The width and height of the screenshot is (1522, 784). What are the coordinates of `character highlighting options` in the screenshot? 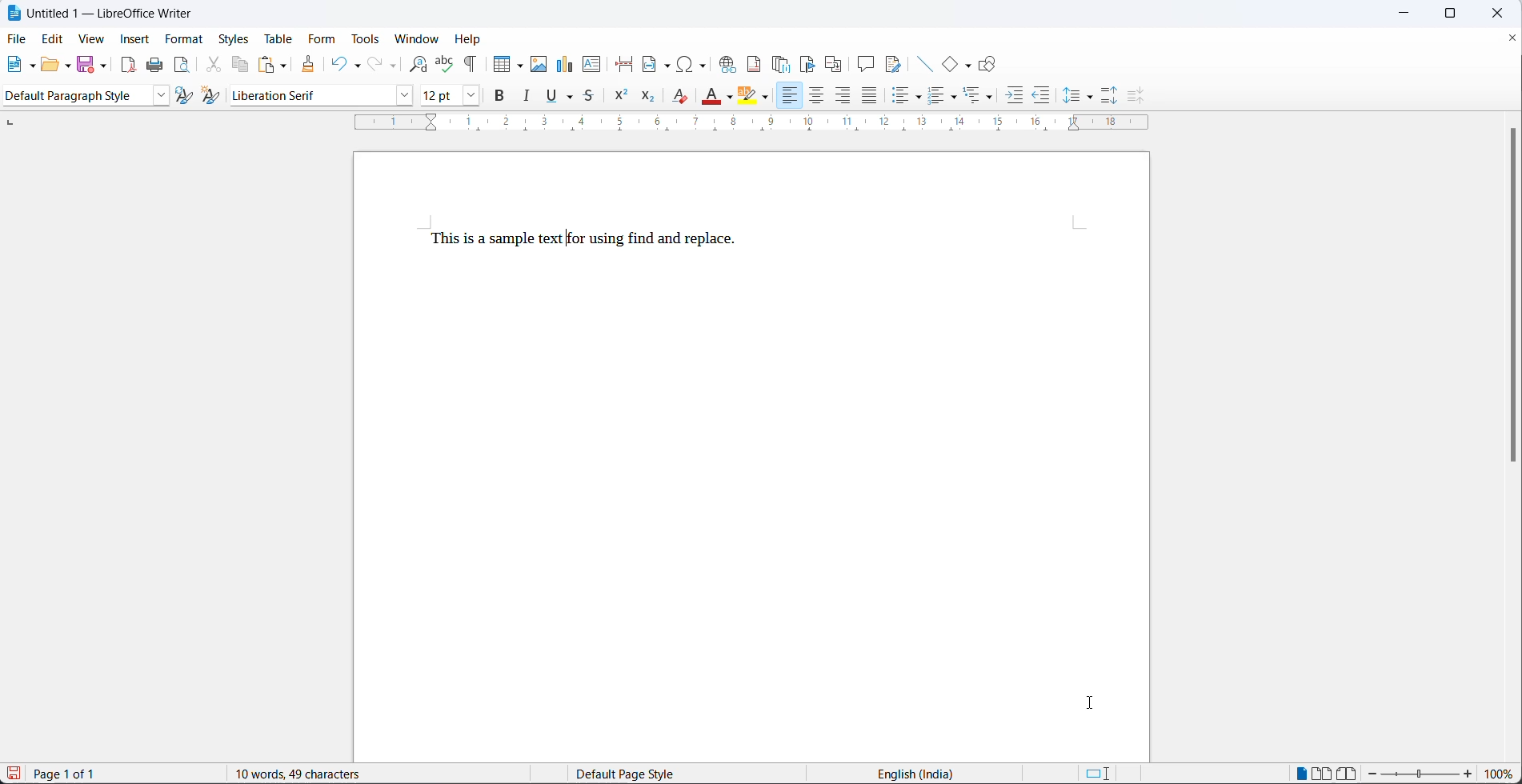 It's located at (768, 98).